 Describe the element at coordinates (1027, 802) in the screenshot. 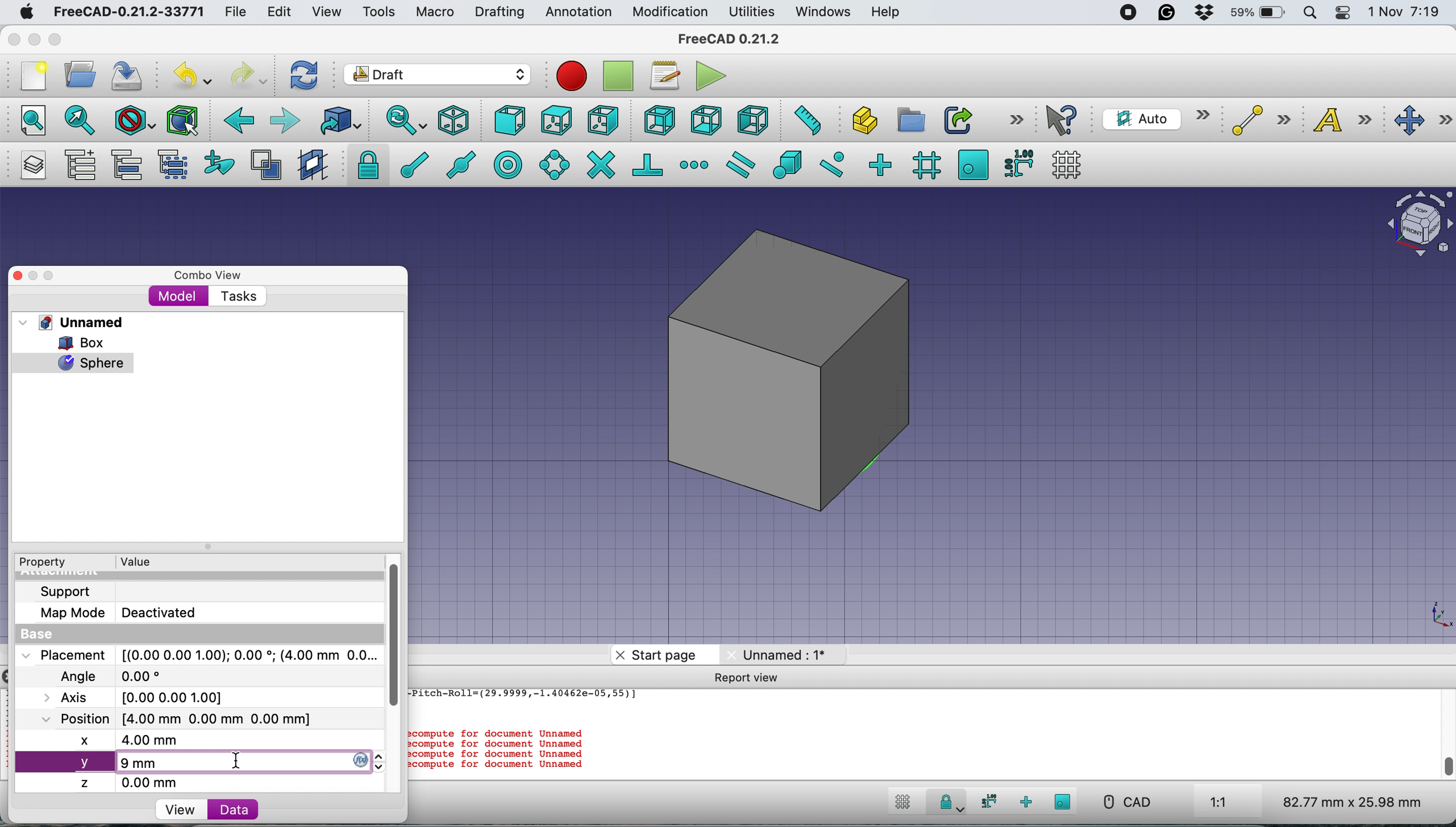

I see `snap ortho` at that location.